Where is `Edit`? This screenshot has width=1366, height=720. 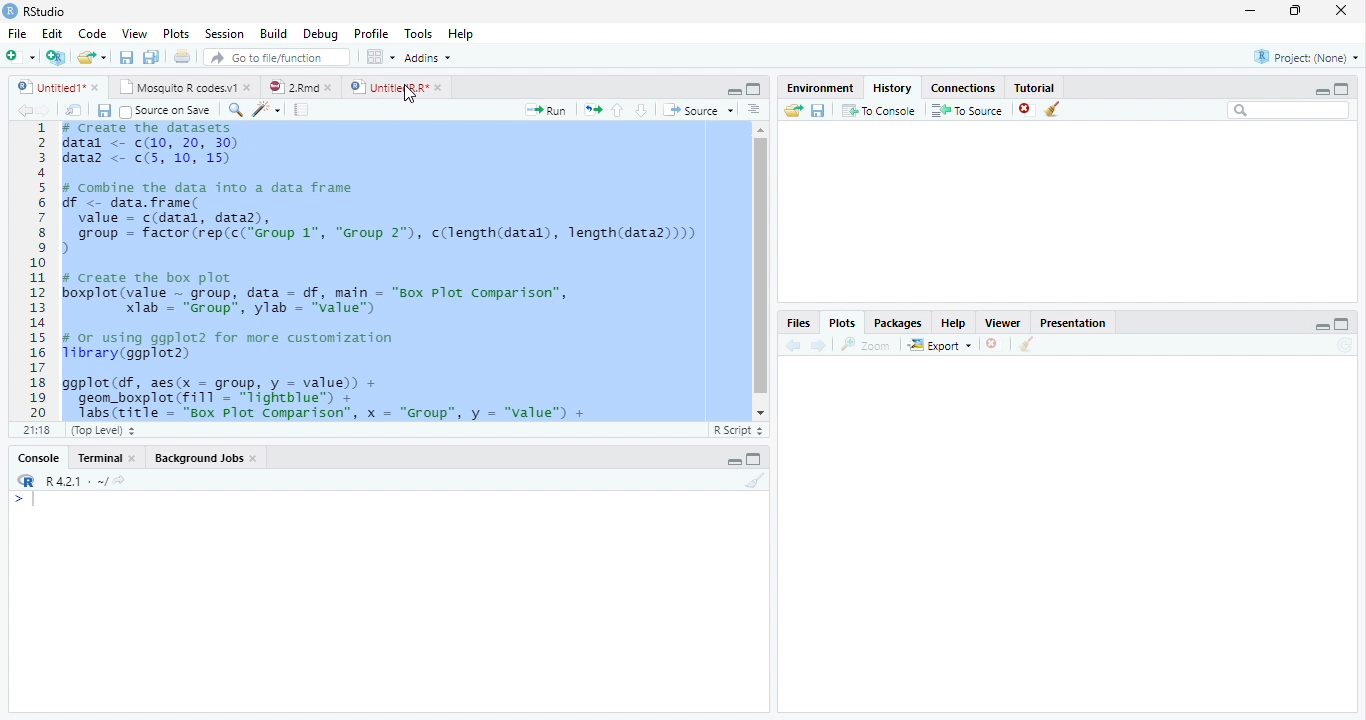 Edit is located at coordinates (50, 33).